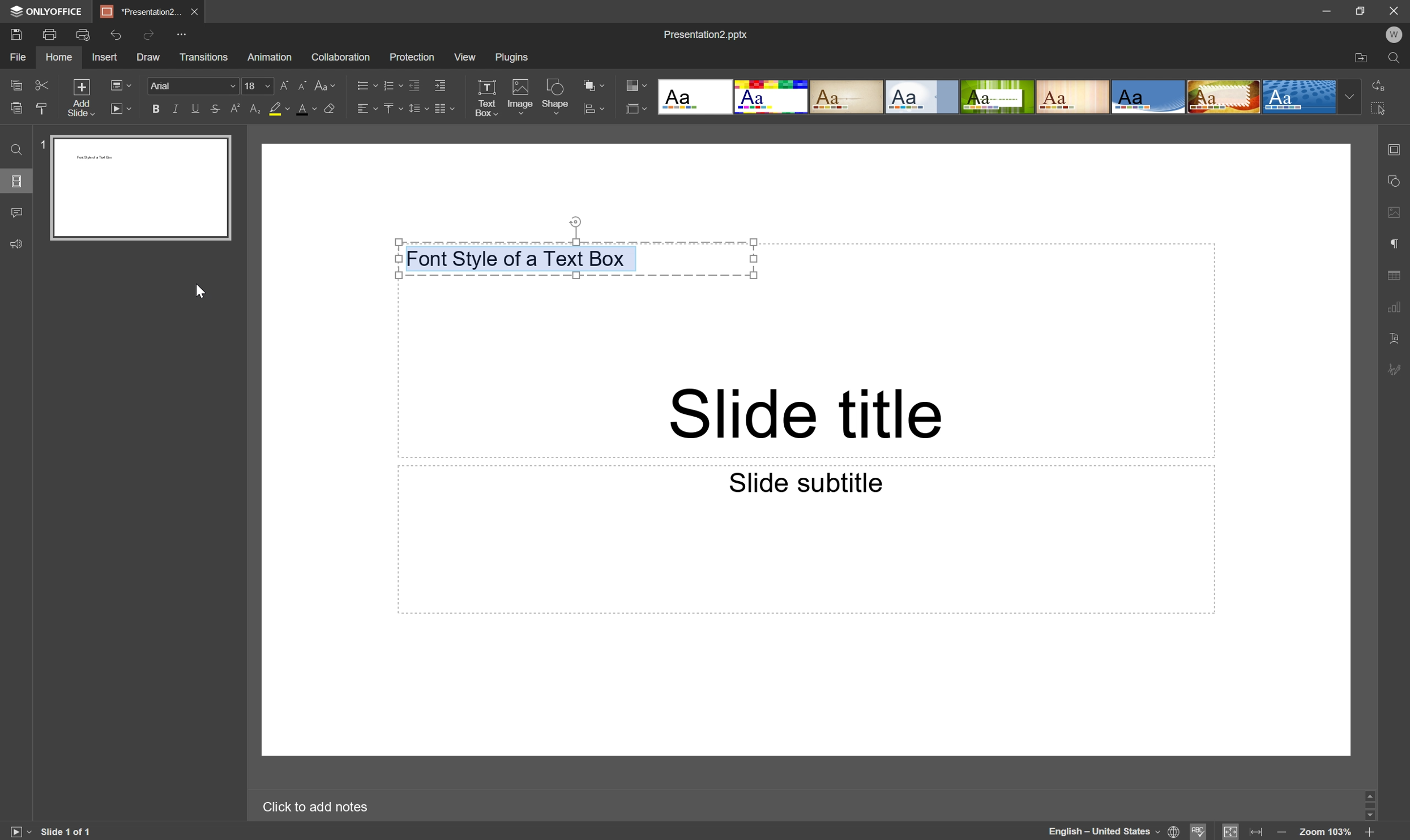  I want to click on Align shape, so click(599, 108).